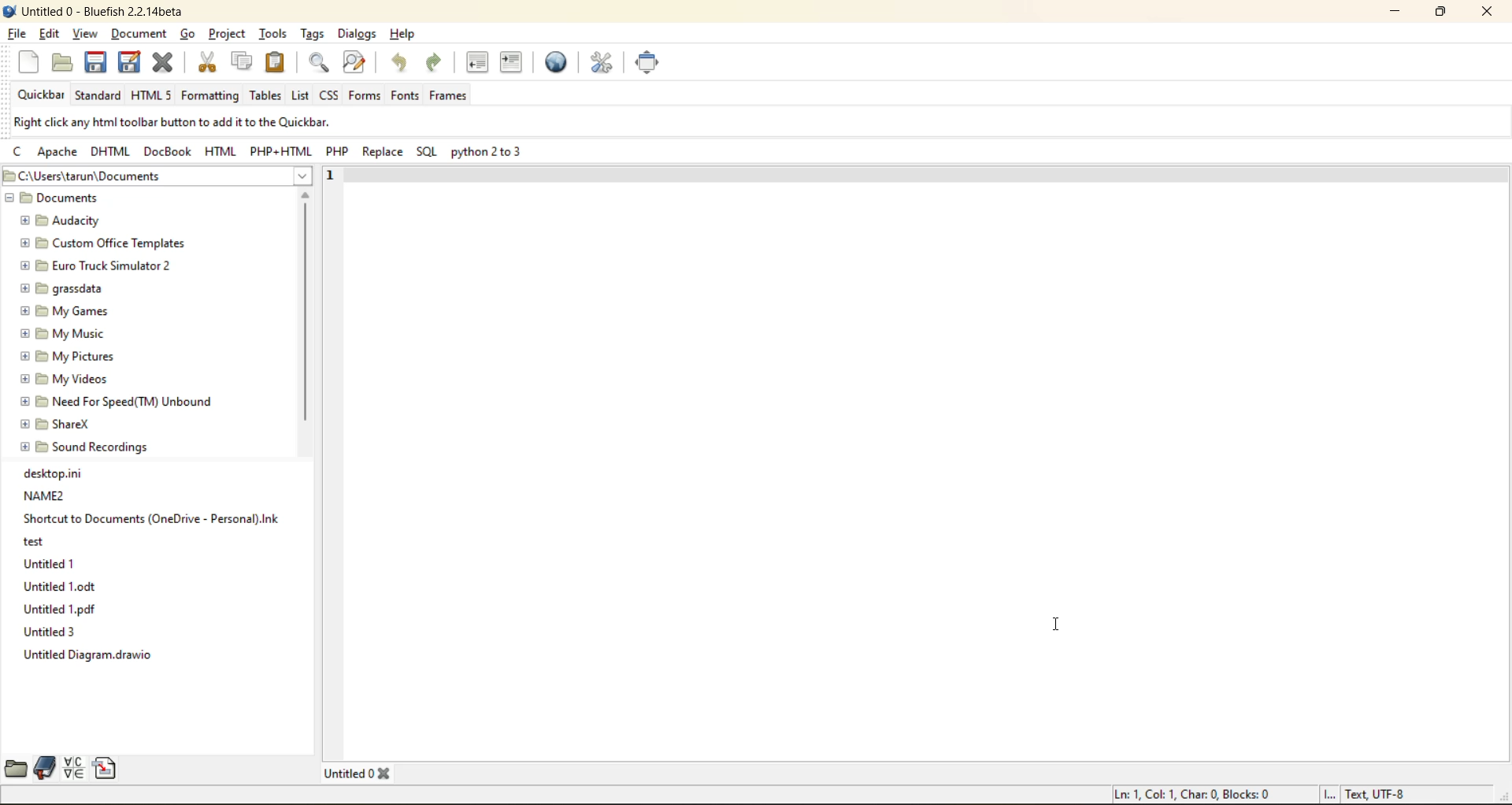  I want to click on unindent, so click(477, 63).